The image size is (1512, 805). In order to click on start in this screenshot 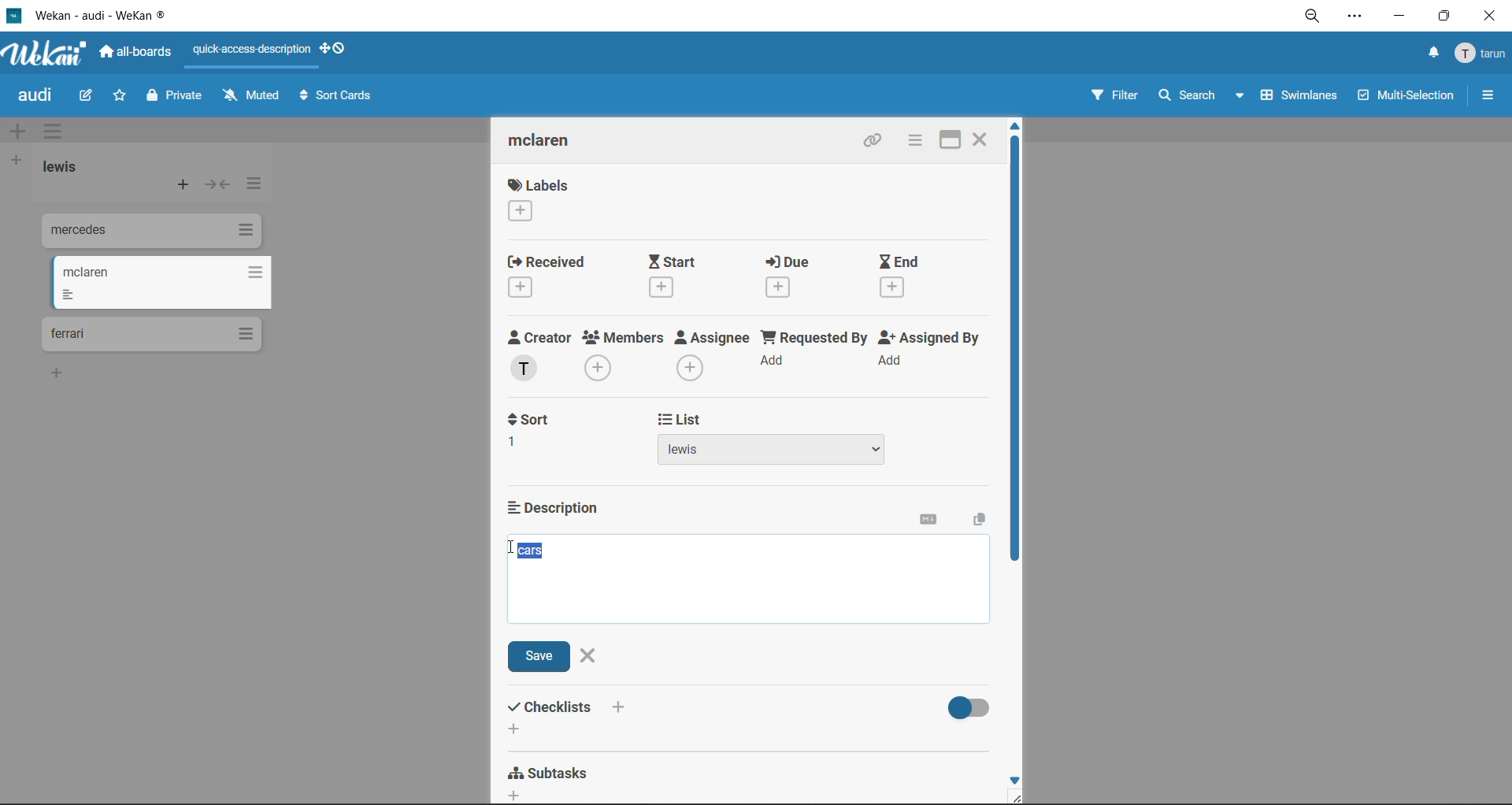, I will do `click(678, 276)`.